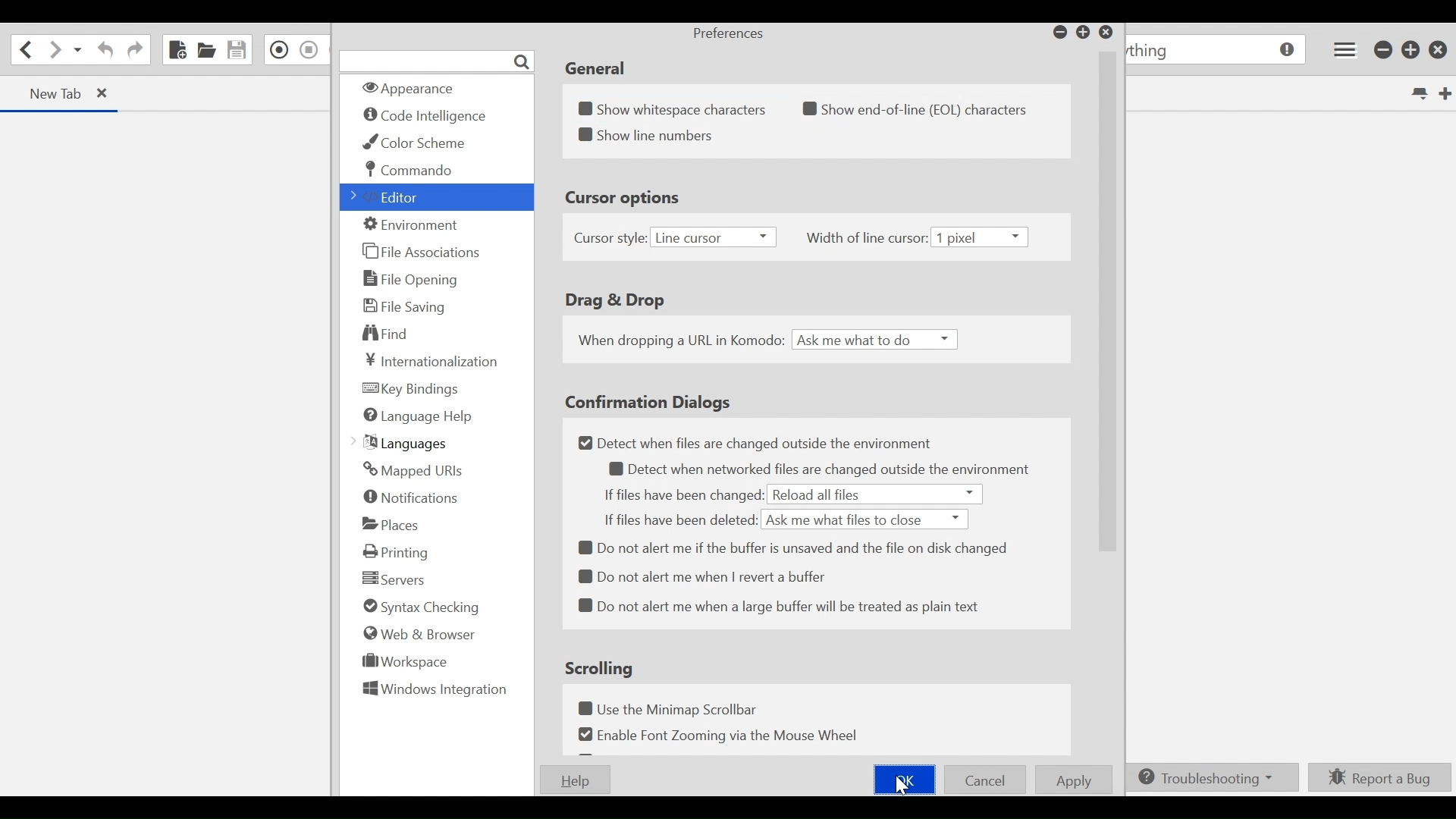  What do you see at coordinates (413, 390) in the screenshot?
I see `Key Bindings` at bounding box center [413, 390].